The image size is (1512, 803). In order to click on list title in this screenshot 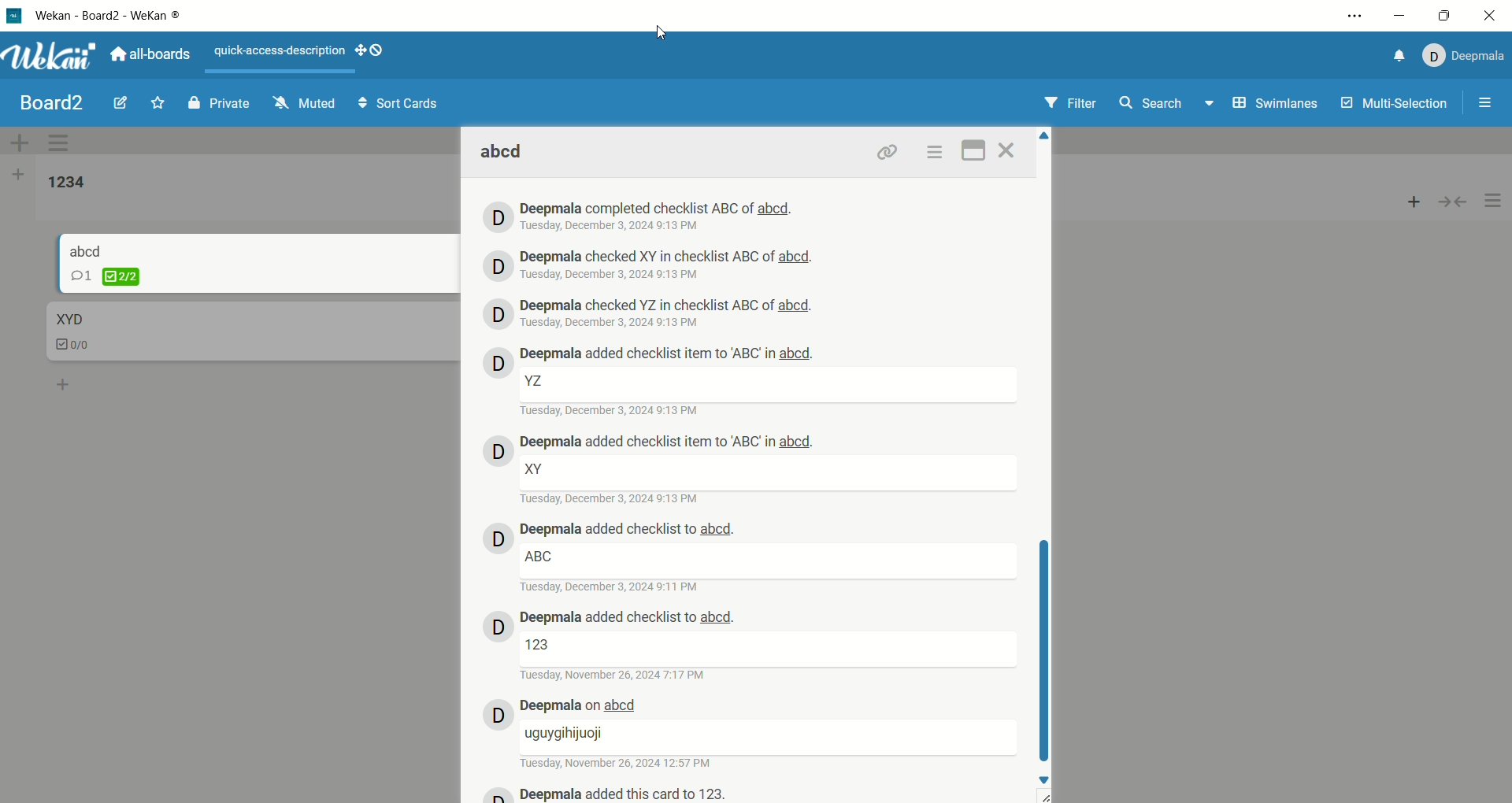, I will do `click(67, 183)`.